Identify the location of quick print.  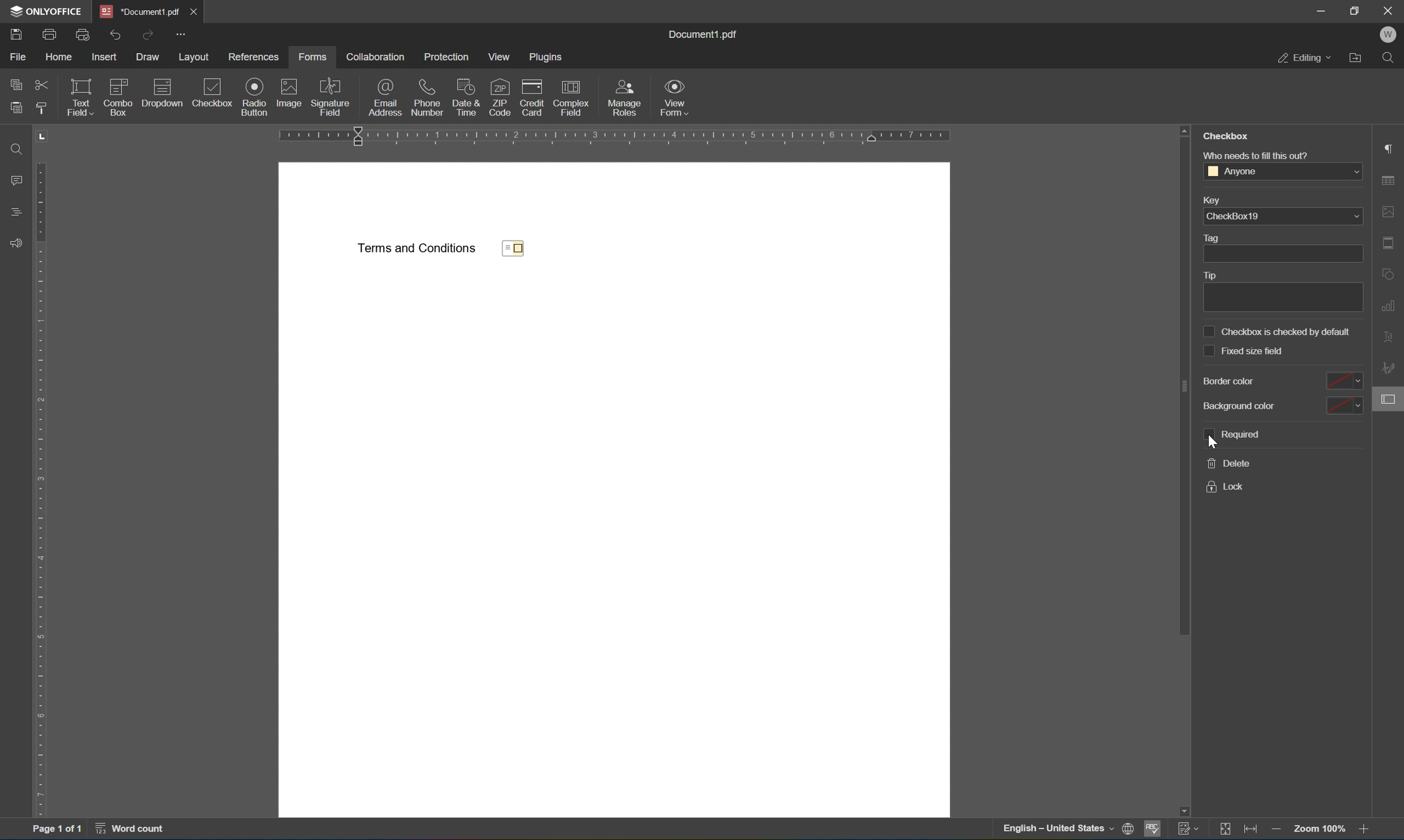
(83, 34).